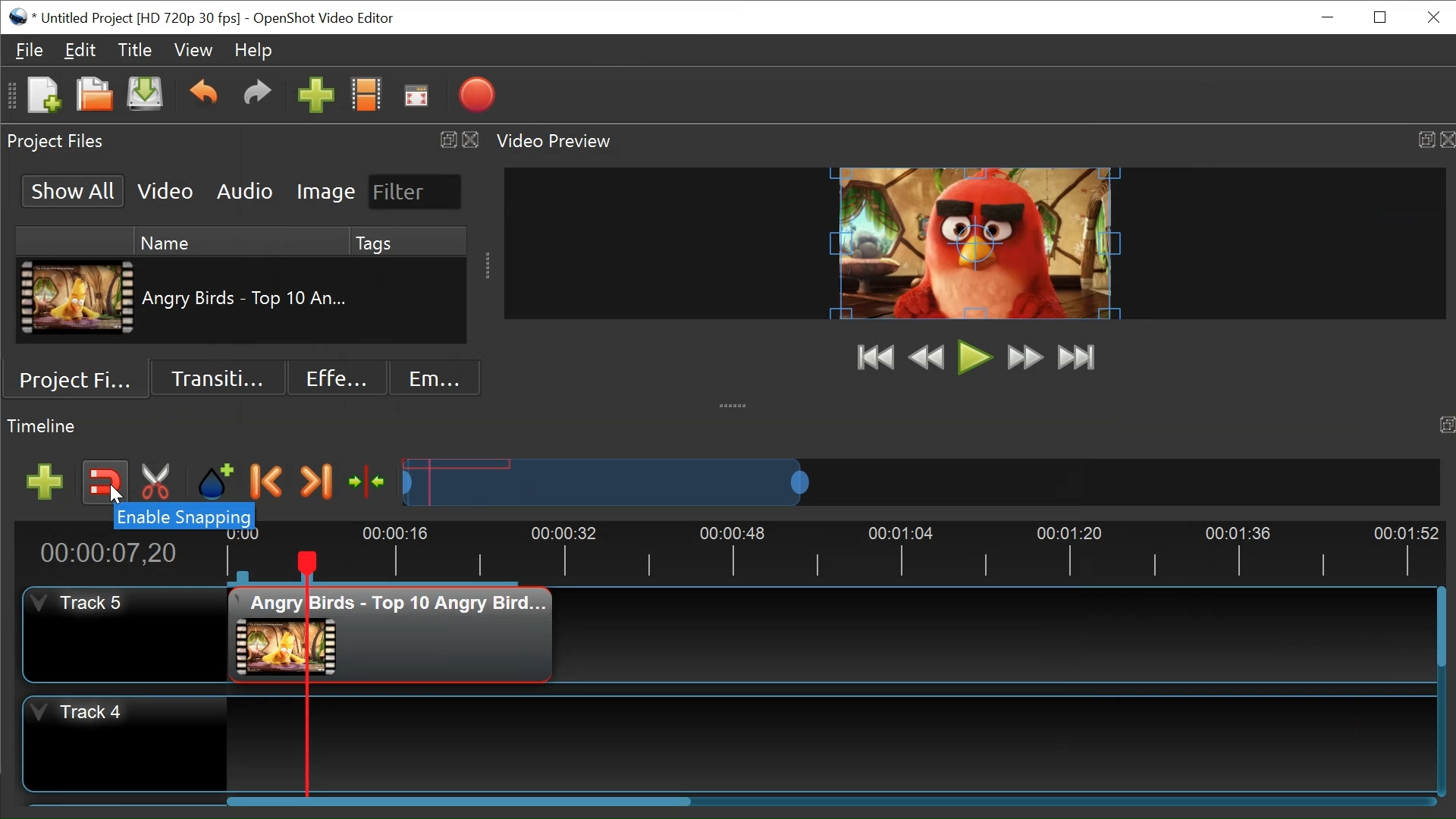 This screenshot has height=819, width=1456. I want to click on Video, so click(166, 192).